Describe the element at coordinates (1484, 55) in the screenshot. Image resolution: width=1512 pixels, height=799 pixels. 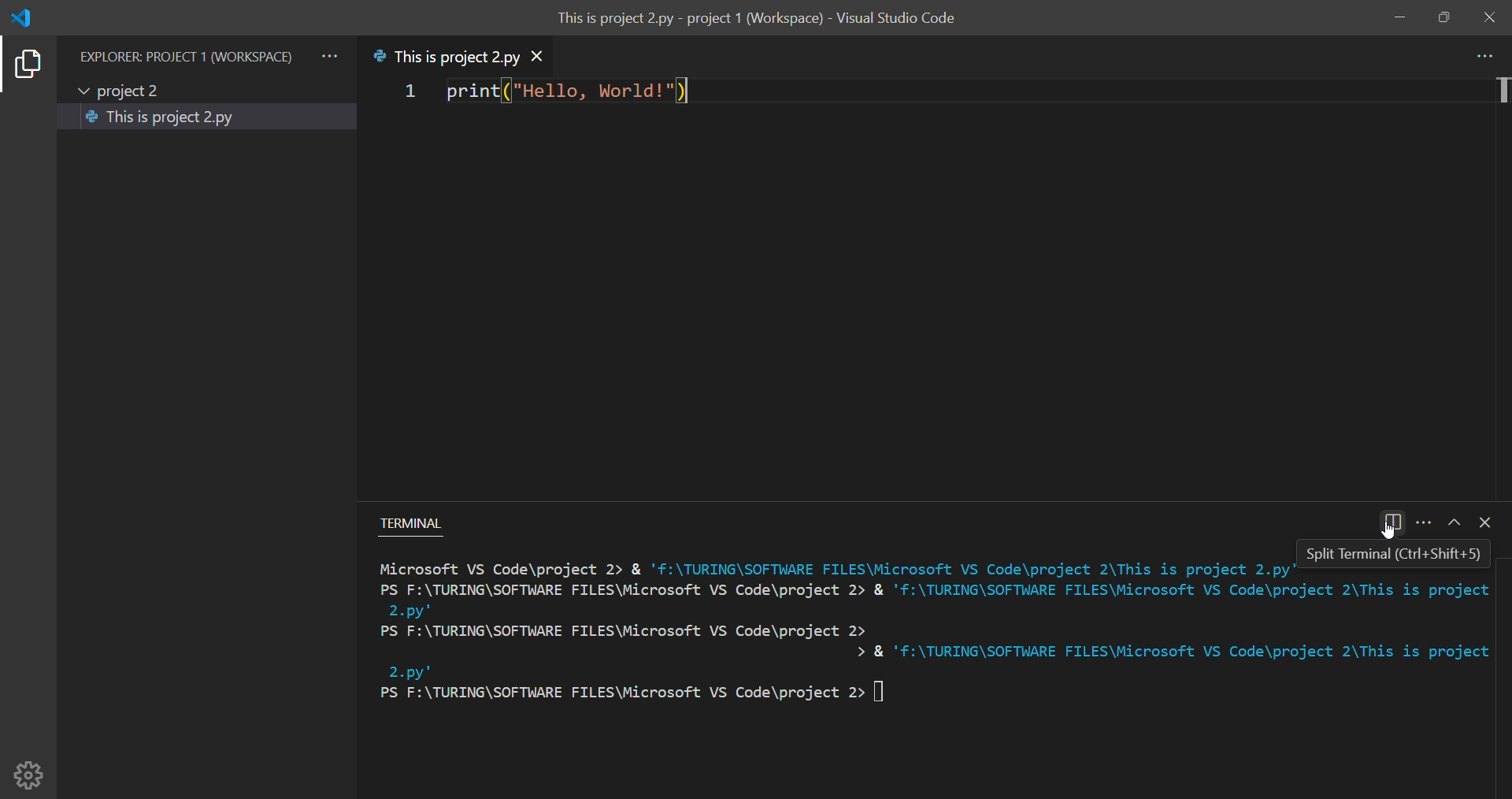
I see `more` at that location.